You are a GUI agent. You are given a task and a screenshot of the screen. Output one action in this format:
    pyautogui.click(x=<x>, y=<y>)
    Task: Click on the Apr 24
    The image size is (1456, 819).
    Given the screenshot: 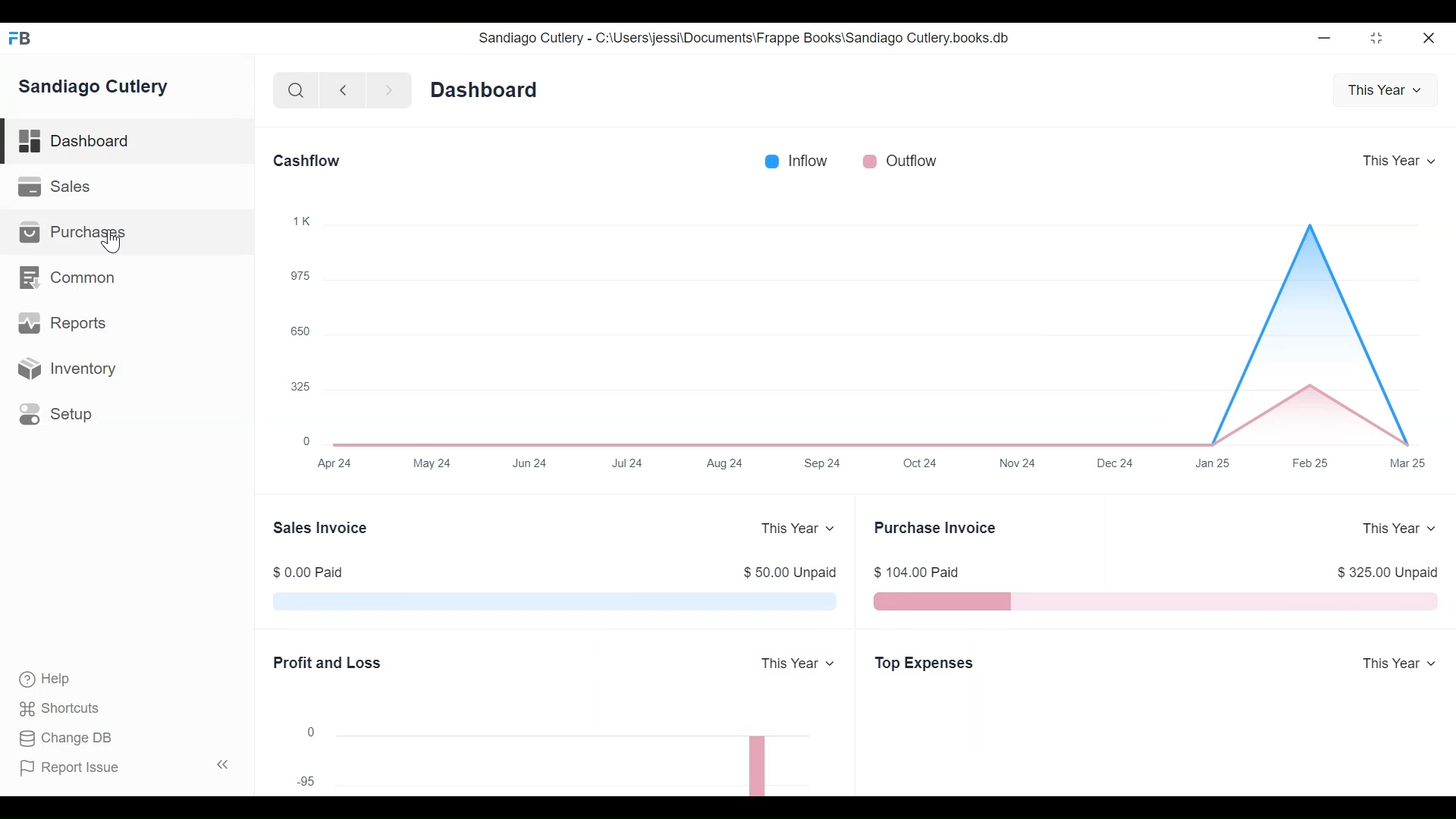 What is the action you would take?
    pyautogui.click(x=334, y=466)
    